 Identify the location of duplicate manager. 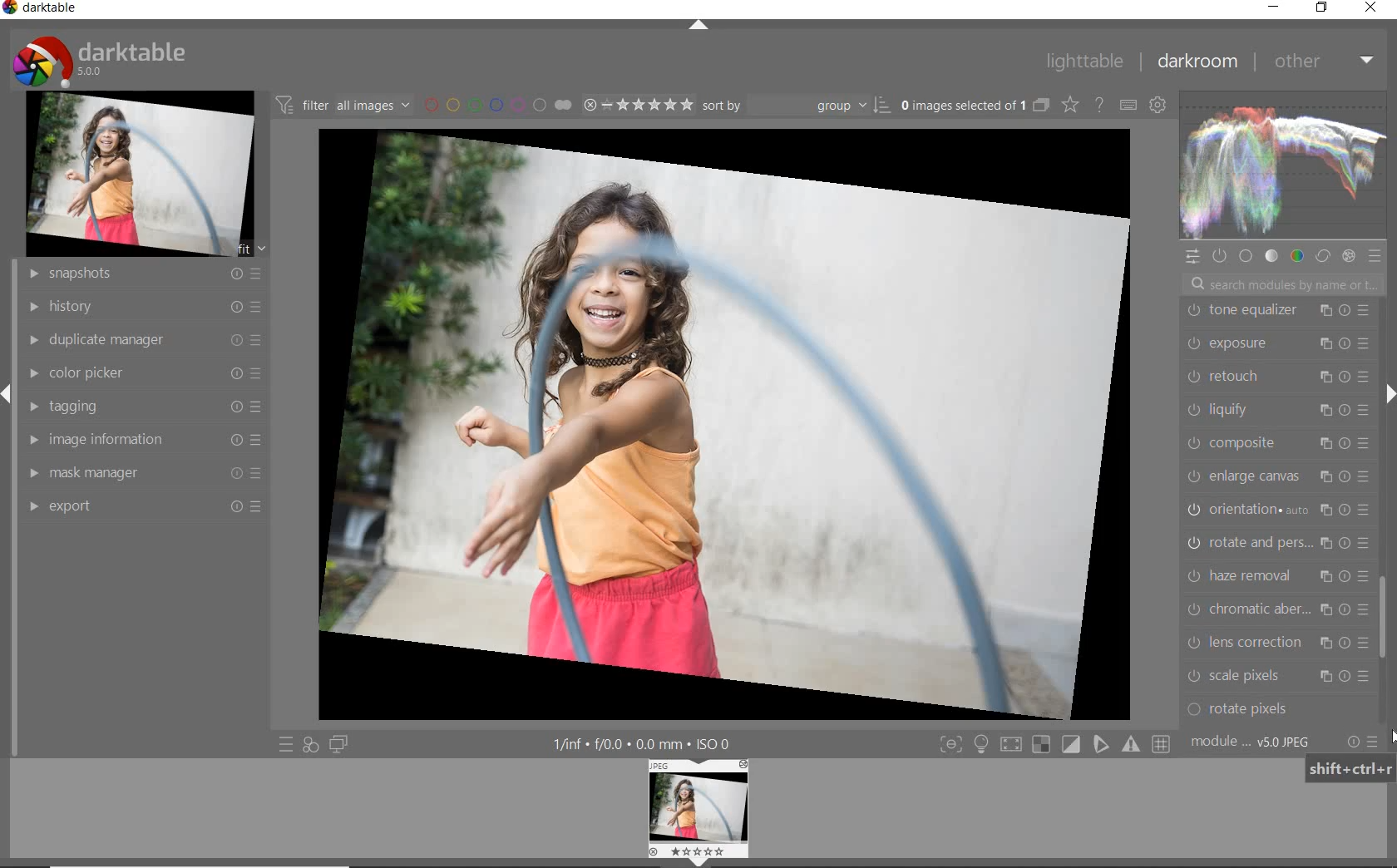
(146, 340).